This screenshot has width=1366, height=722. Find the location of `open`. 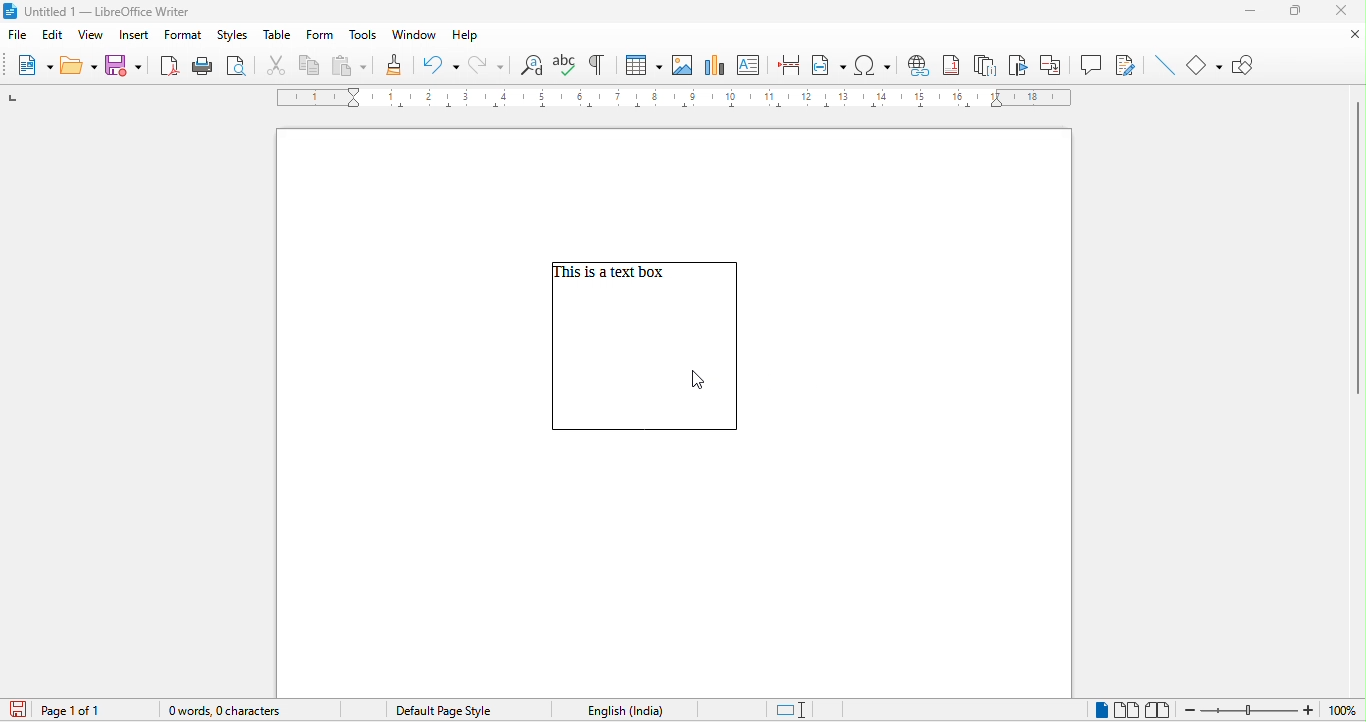

open is located at coordinates (79, 64).